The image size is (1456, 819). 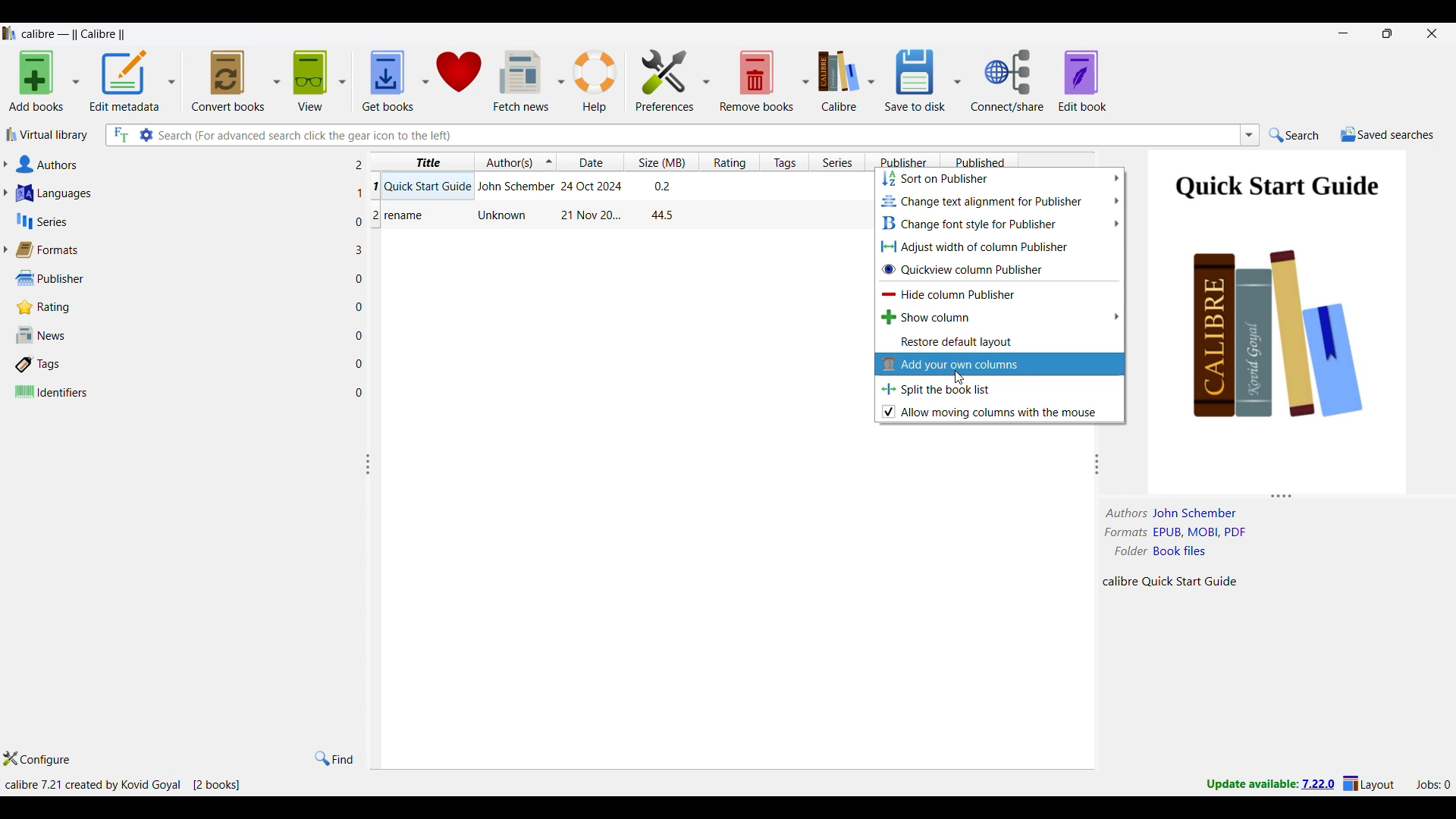 What do you see at coordinates (588, 215) in the screenshot?
I see `Date` at bounding box center [588, 215].